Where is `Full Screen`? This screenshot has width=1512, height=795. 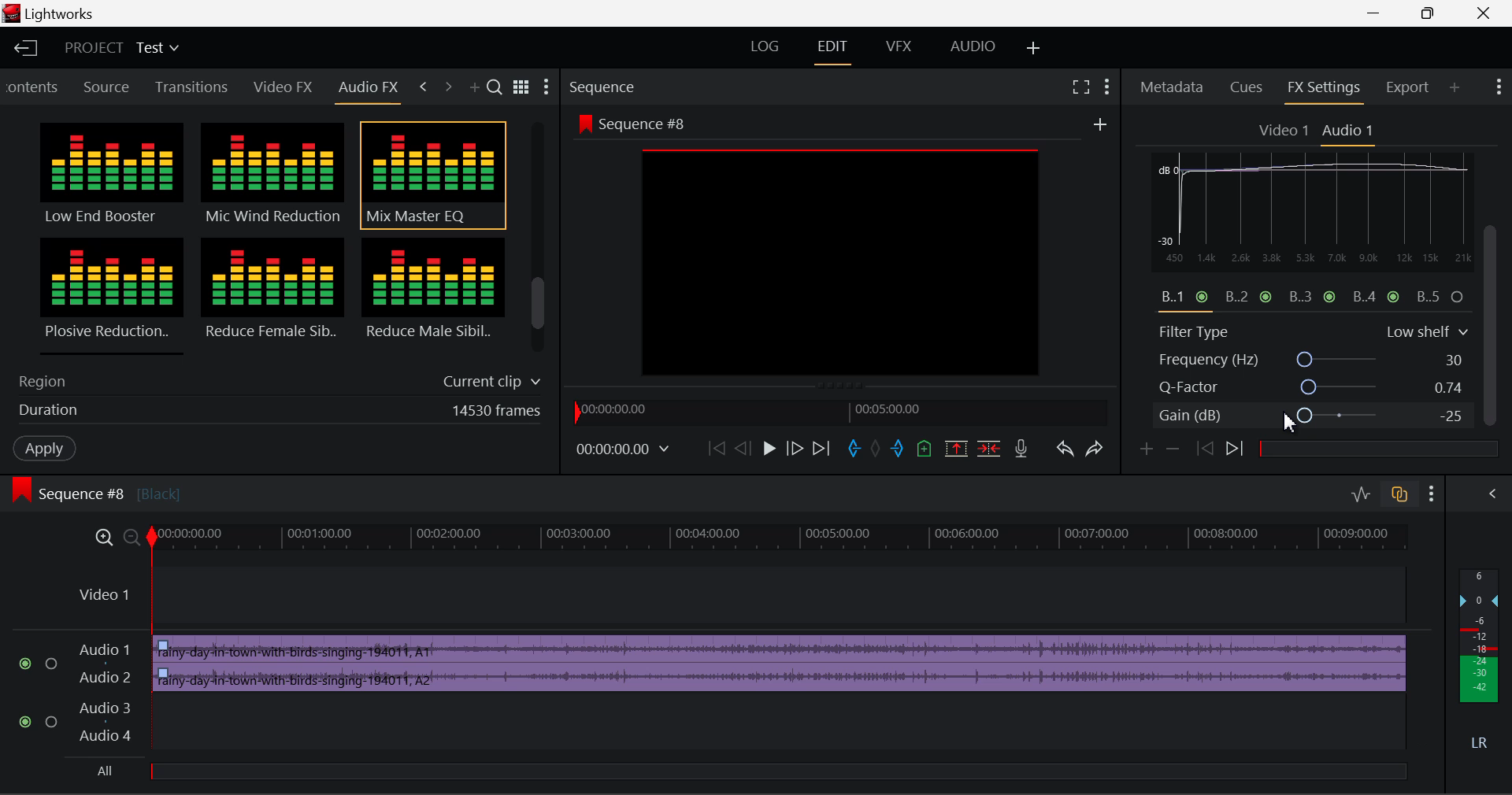 Full Screen is located at coordinates (1080, 87).